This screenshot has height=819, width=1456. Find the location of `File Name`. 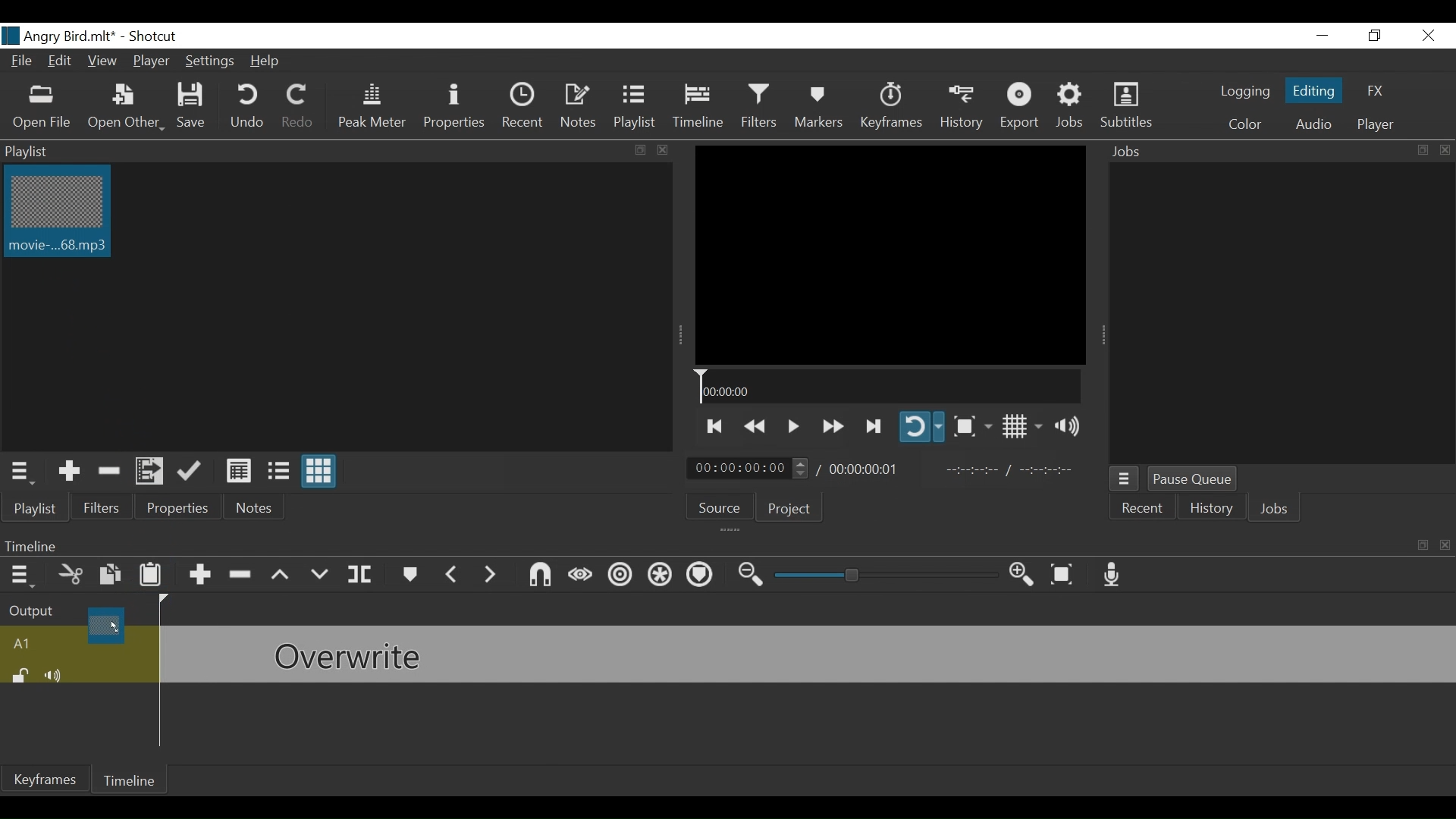

File Name is located at coordinates (60, 36).